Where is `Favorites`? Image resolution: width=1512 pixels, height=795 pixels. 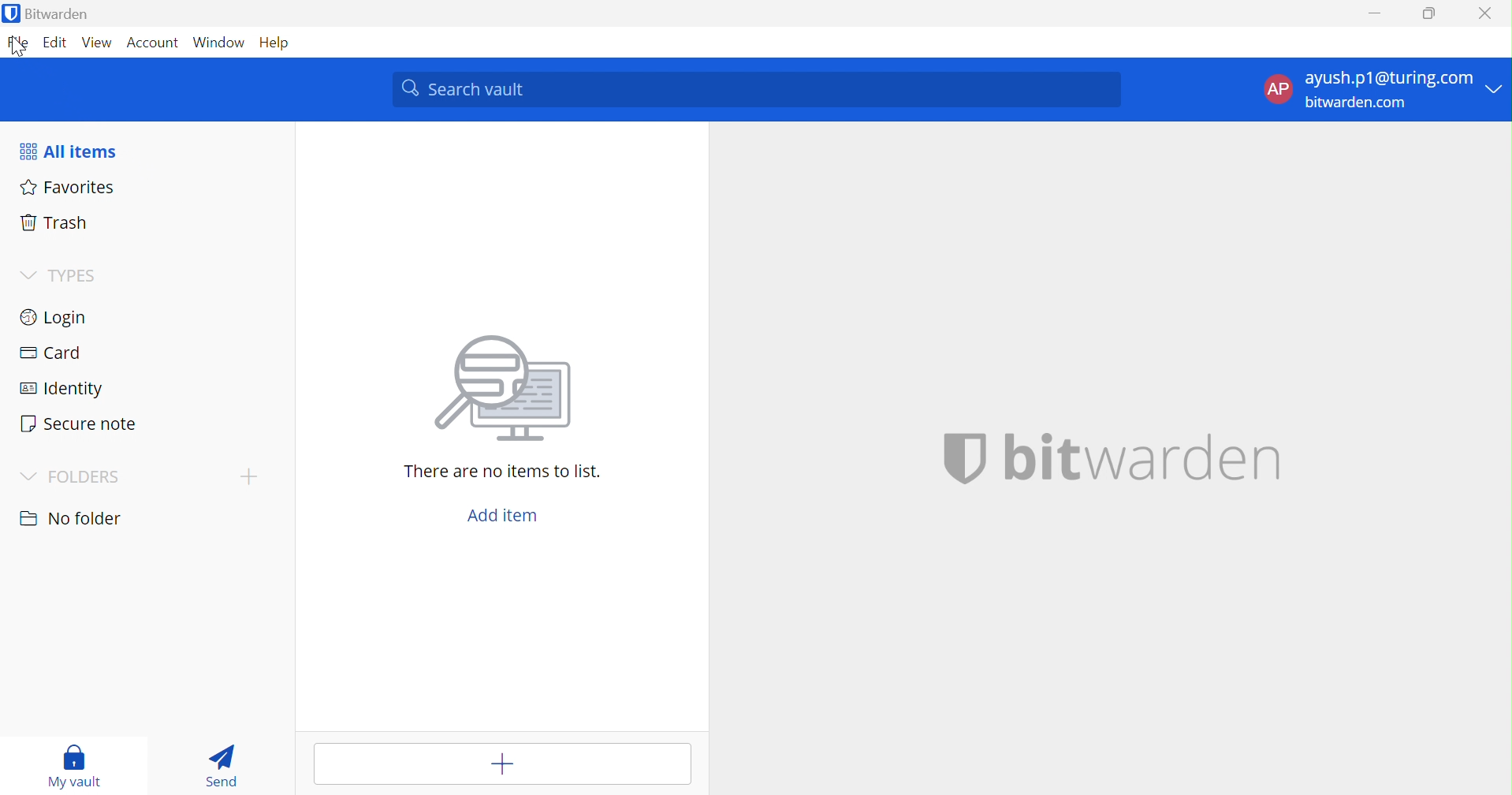 Favorites is located at coordinates (72, 188).